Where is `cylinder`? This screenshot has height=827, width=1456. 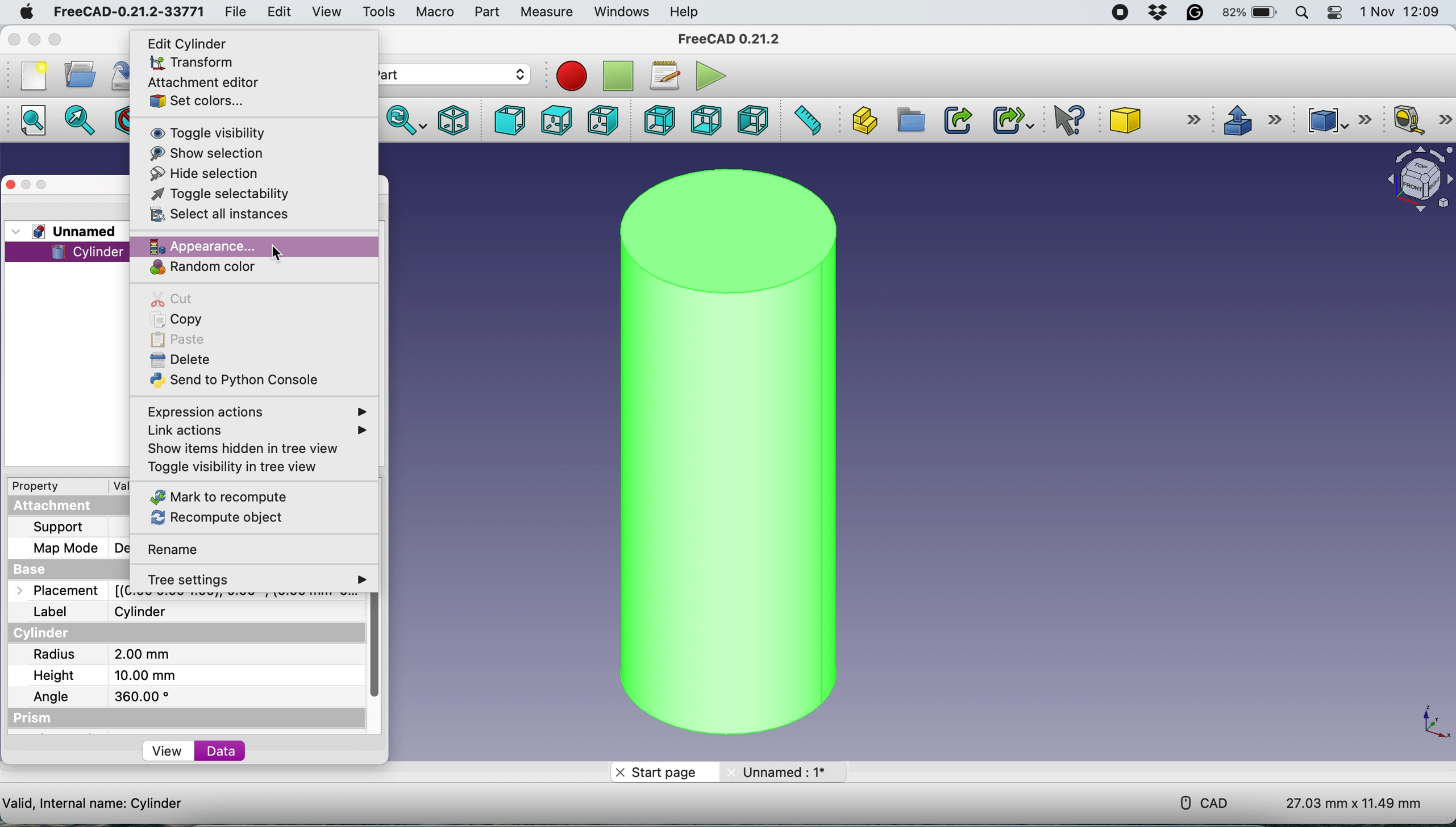
cylinder is located at coordinates (47, 634).